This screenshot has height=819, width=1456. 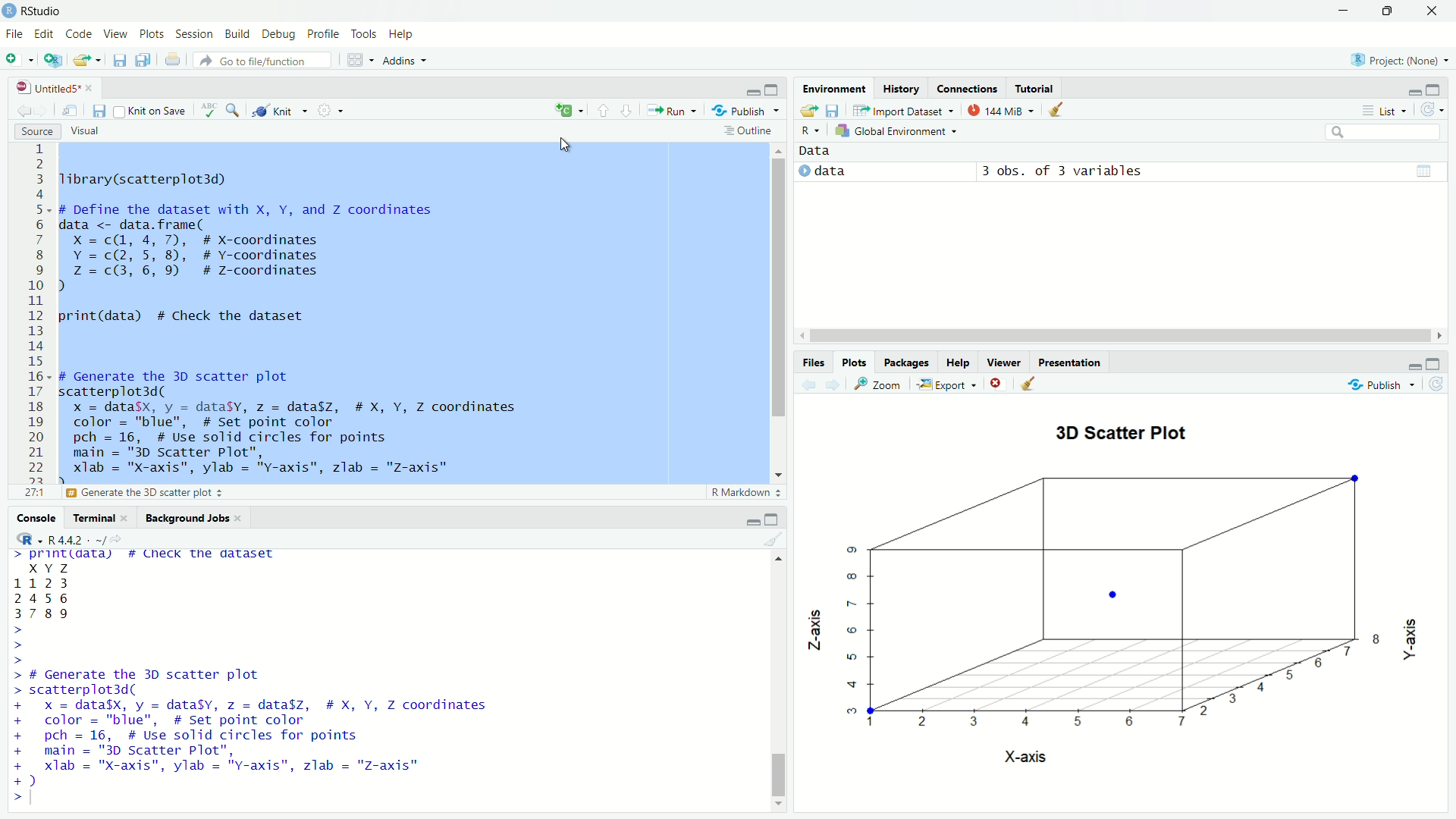 What do you see at coordinates (43, 35) in the screenshot?
I see `edit` at bounding box center [43, 35].